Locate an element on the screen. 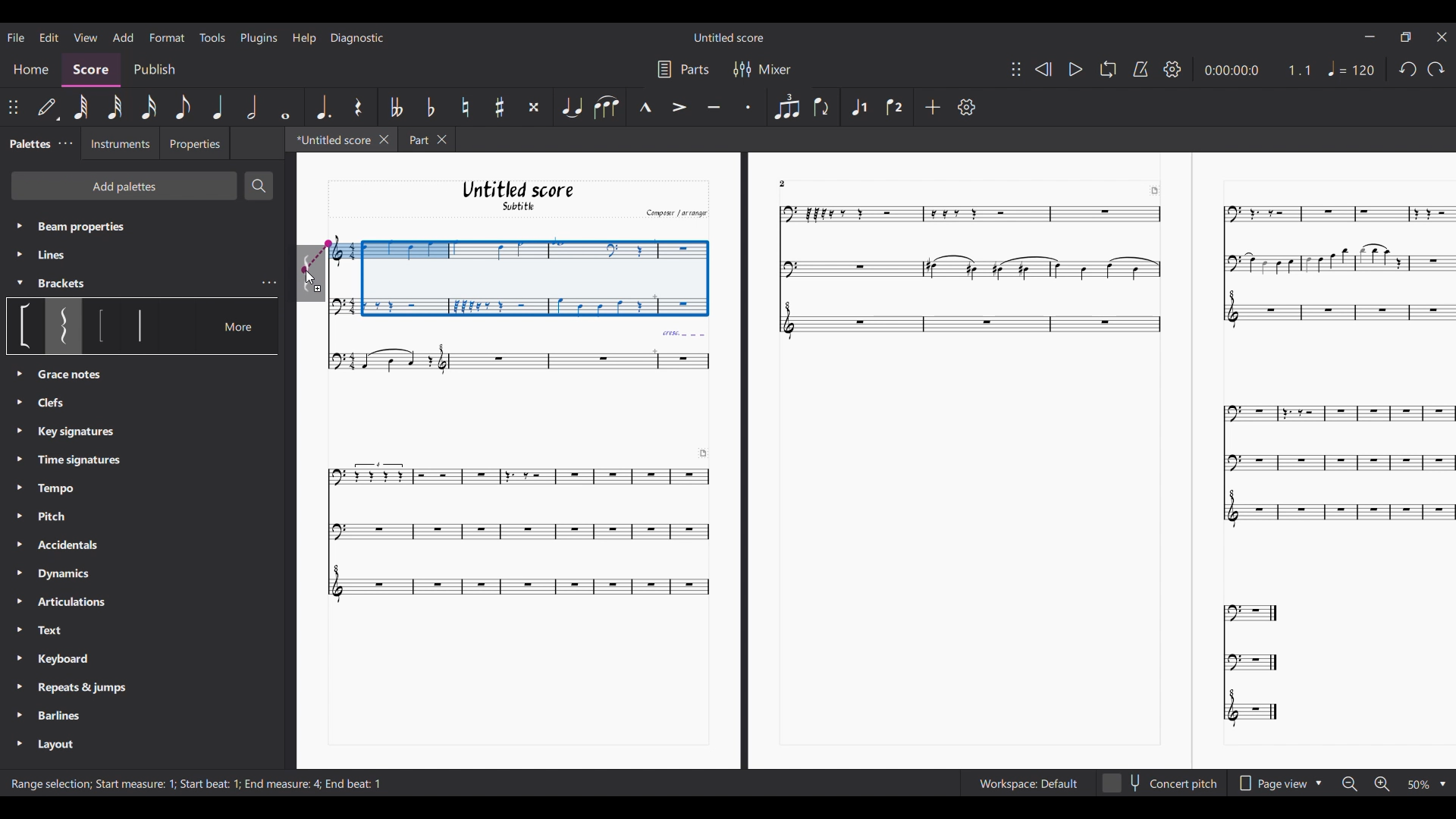  Bracket settings is located at coordinates (270, 283).